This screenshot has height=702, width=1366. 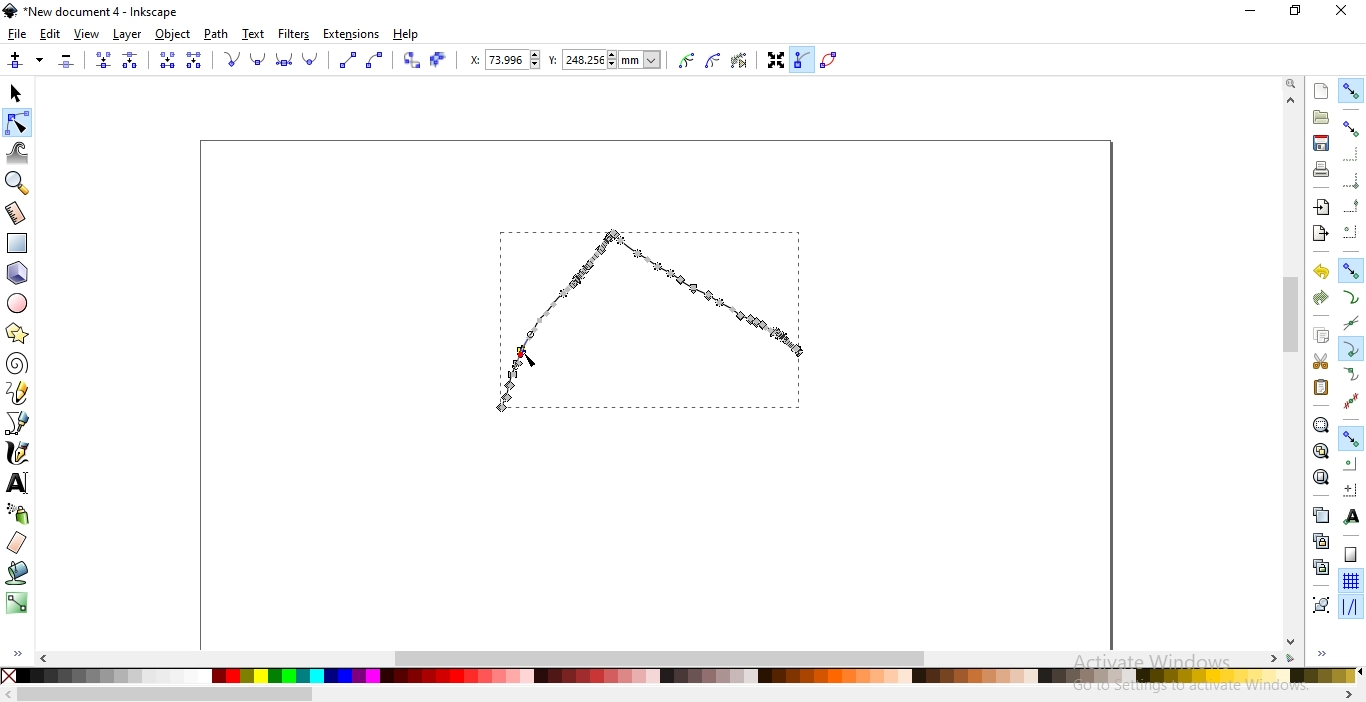 I want to click on text, so click(x=254, y=33).